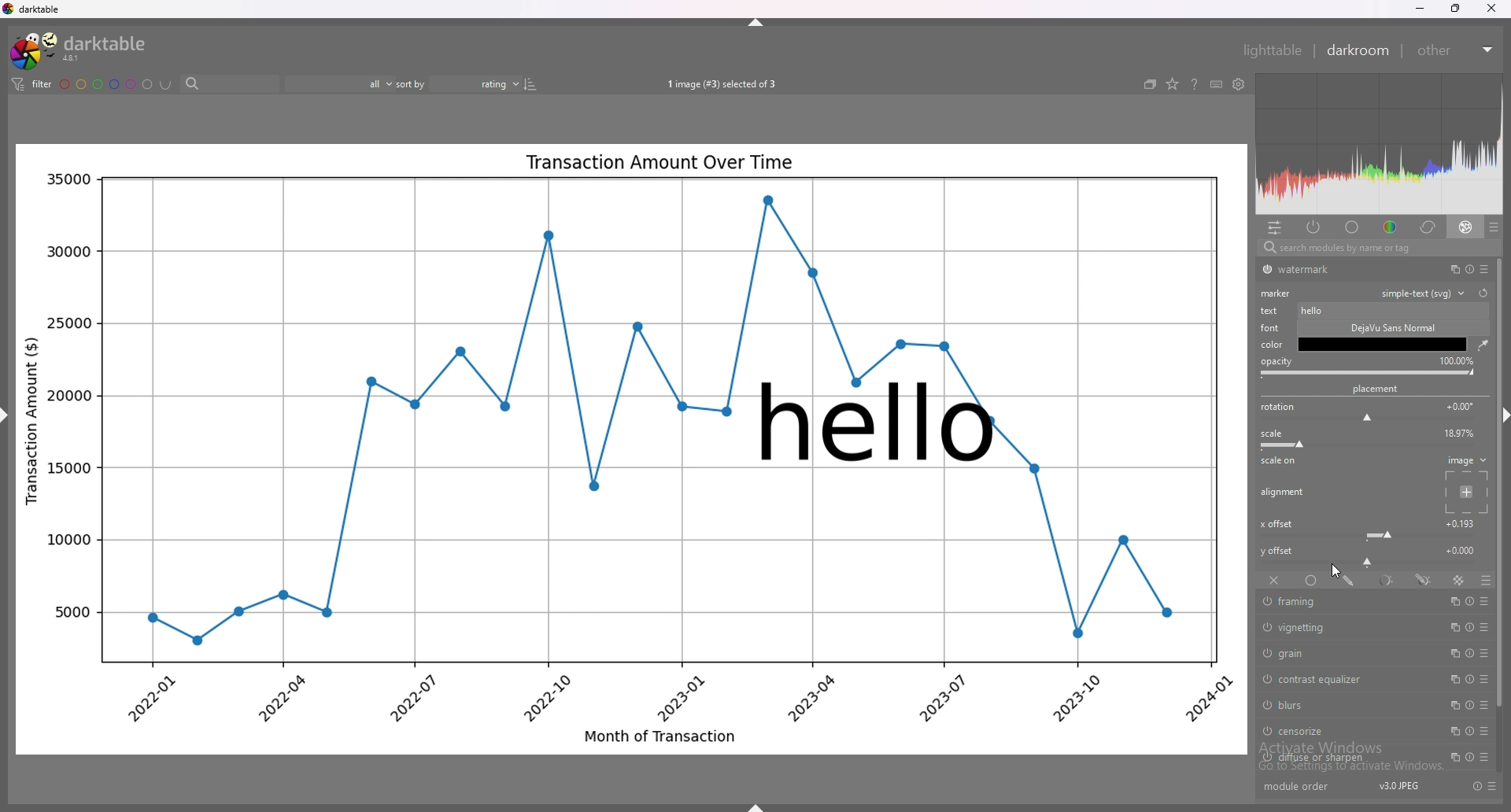  Describe the element at coordinates (1428, 293) in the screenshot. I see `watermark type` at that location.